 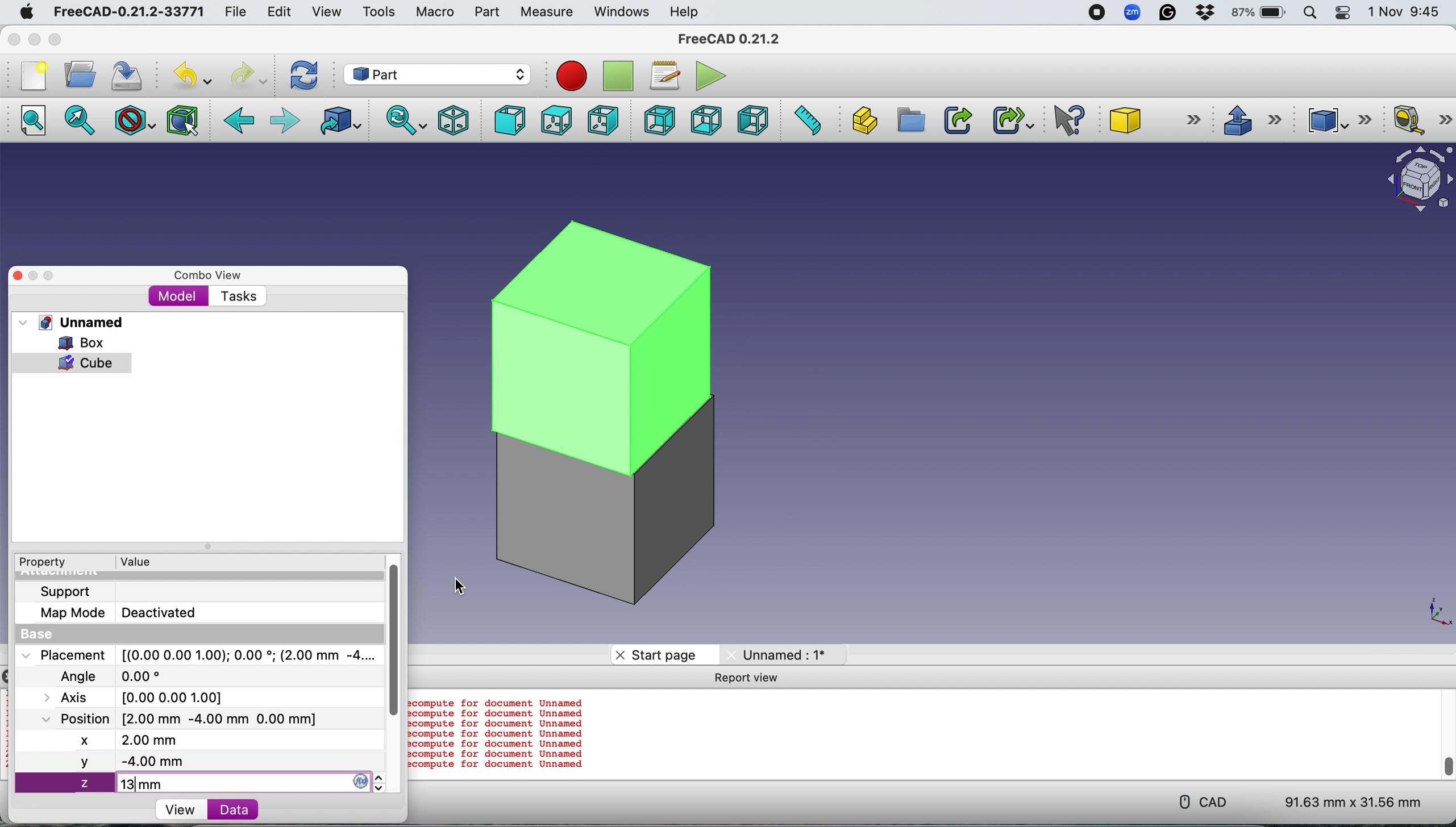 What do you see at coordinates (402, 120) in the screenshot?
I see `Sync view` at bounding box center [402, 120].